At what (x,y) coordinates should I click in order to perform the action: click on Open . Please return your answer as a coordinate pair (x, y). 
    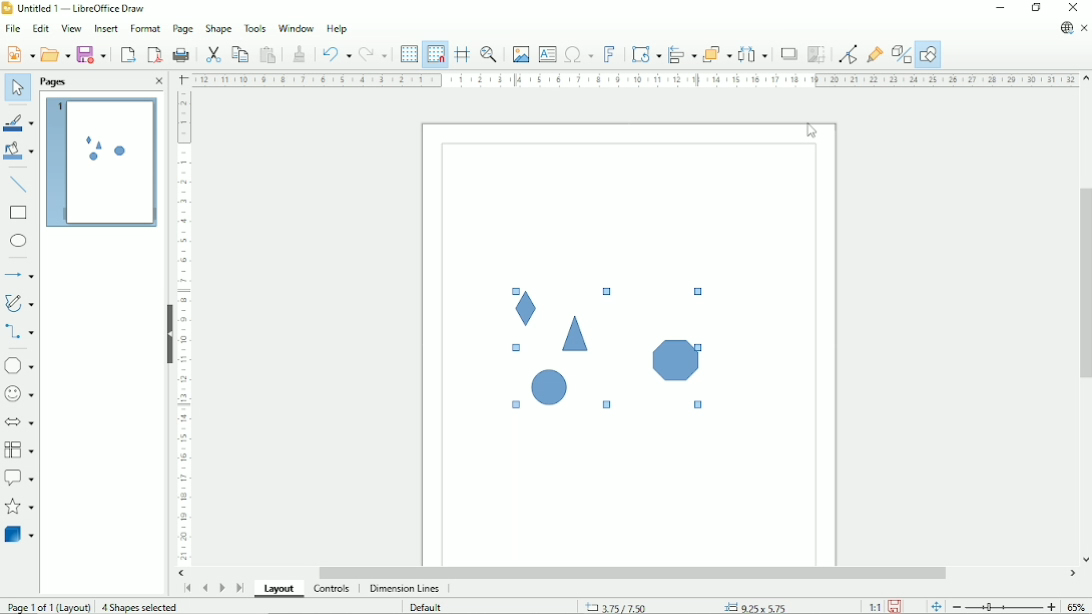
    Looking at the image, I should click on (55, 55).